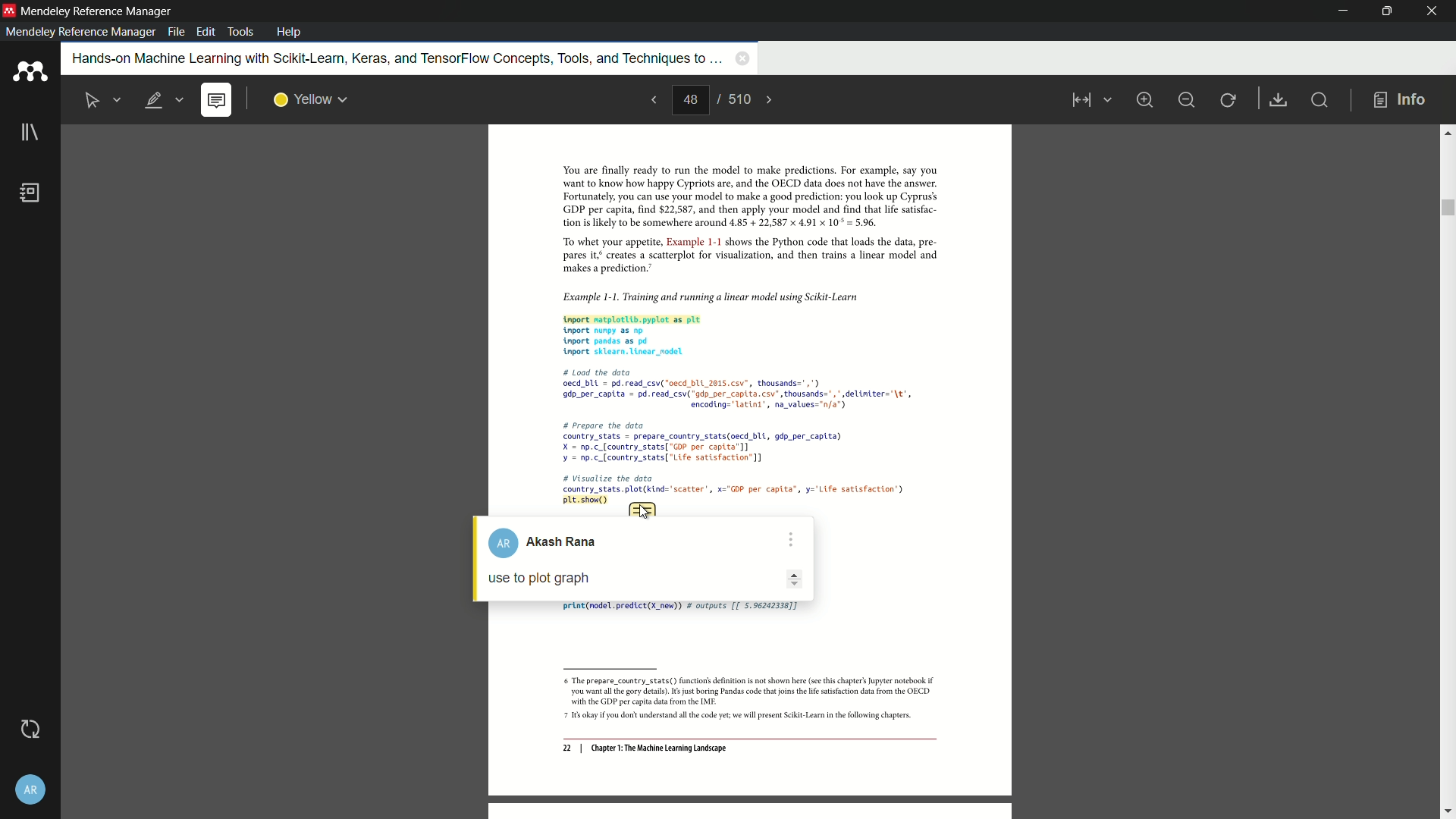 The image size is (1456, 819). I want to click on close, so click(1433, 11).